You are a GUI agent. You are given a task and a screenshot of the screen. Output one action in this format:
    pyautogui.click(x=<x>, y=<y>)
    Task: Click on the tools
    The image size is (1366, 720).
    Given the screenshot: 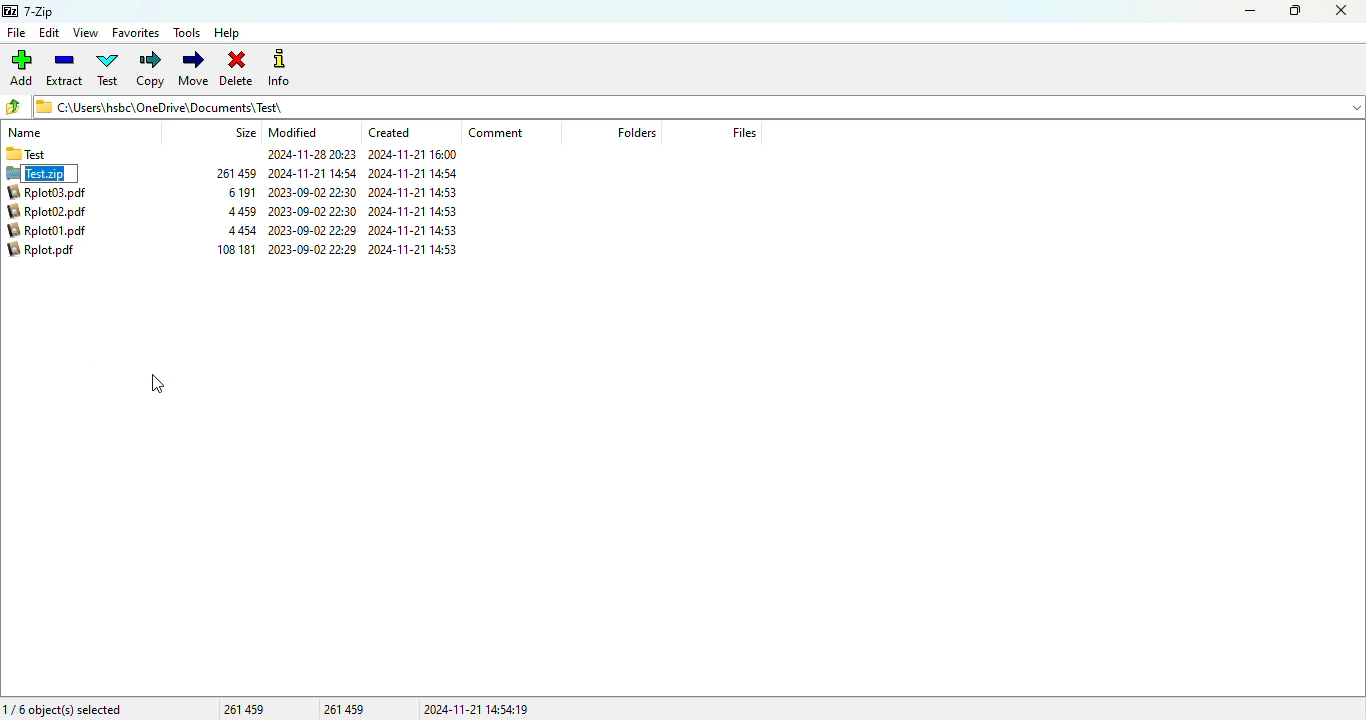 What is the action you would take?
    pyautogui.click(x=187, y=33)
    